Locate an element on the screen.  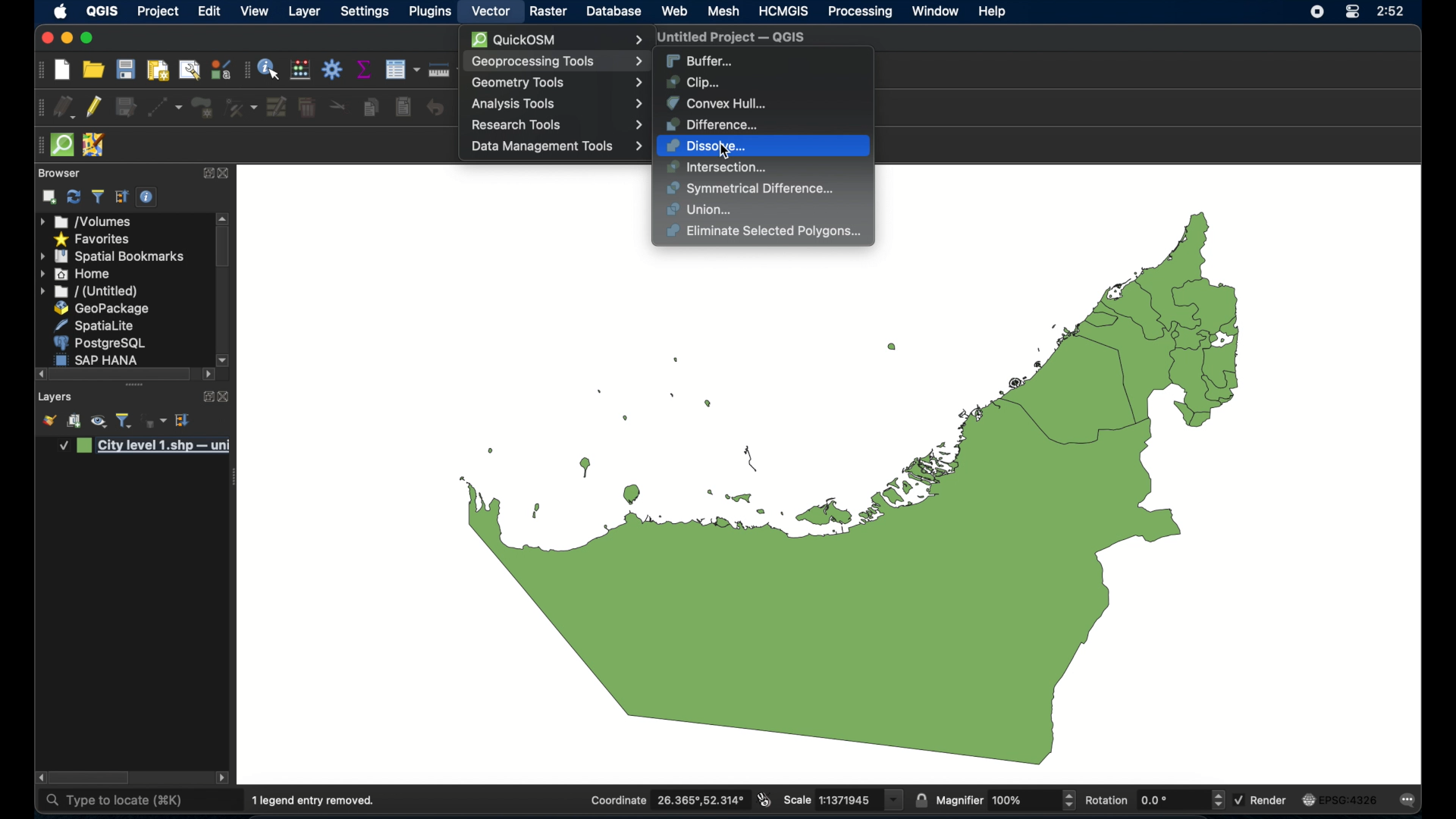
filter legend is located at coordinates (97, 197).